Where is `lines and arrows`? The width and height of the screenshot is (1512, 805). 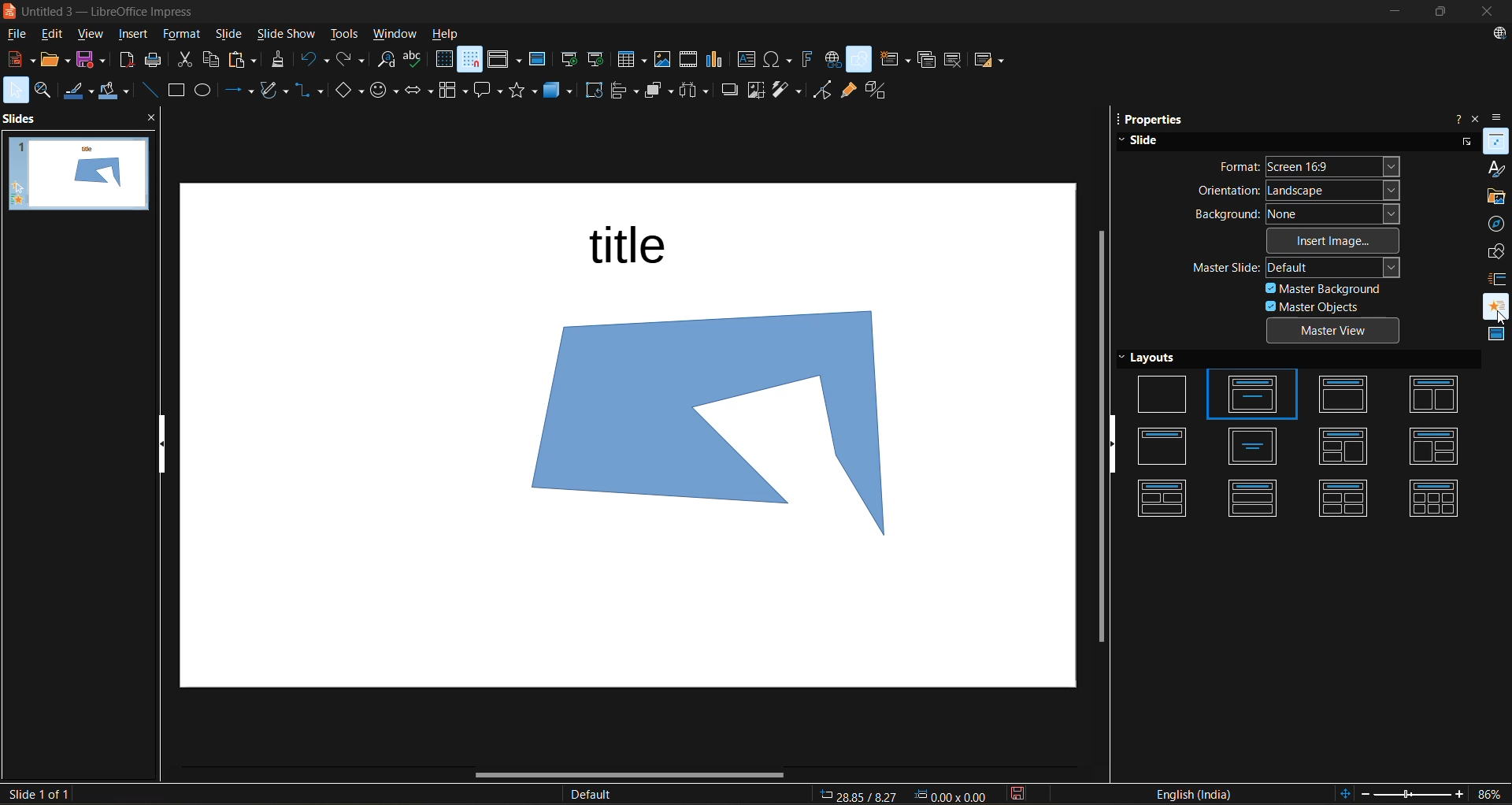 lines and arrows is located at coordinates (236, 91).